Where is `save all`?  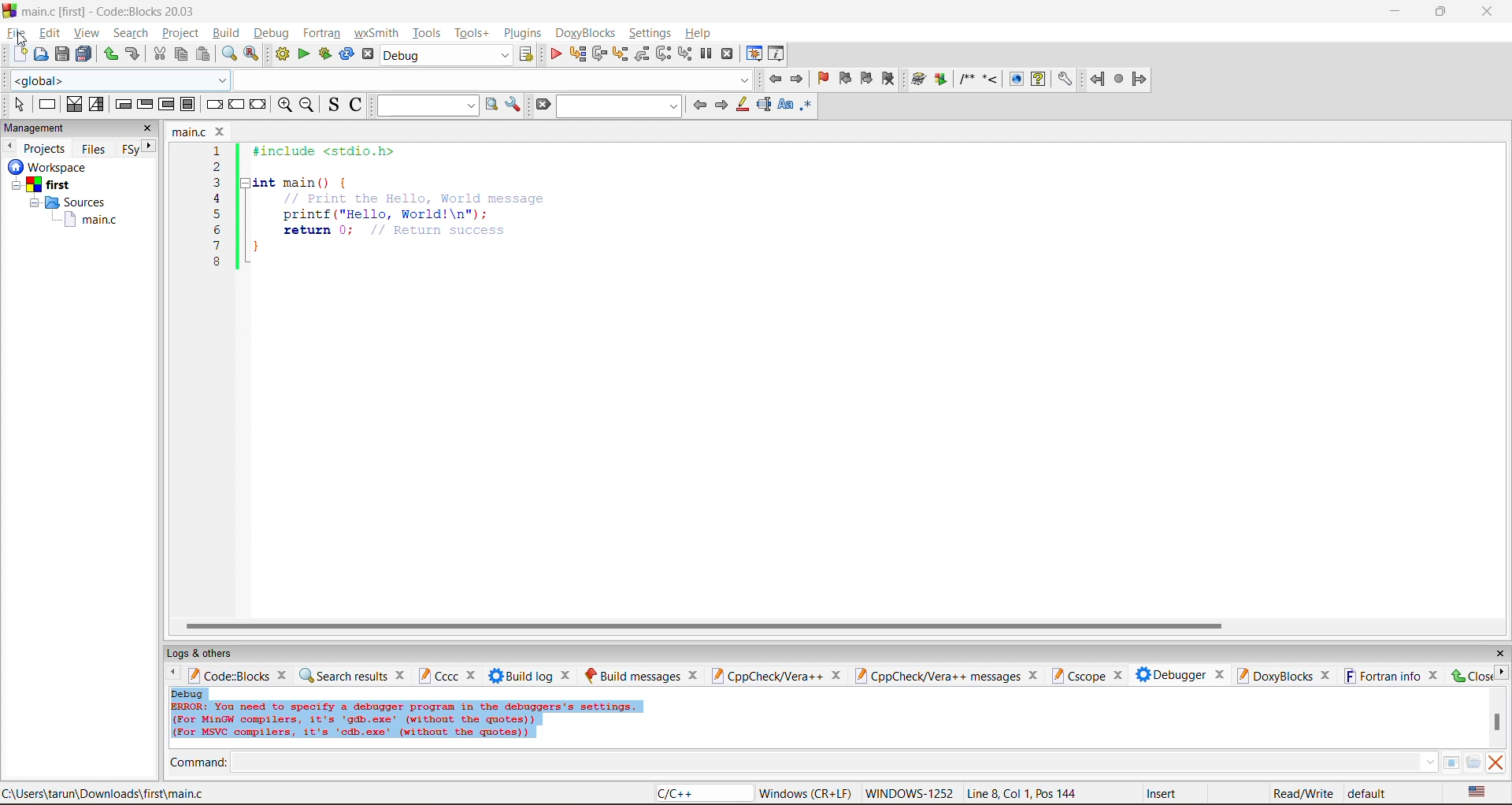
save all is located at coordinates (84, 54).